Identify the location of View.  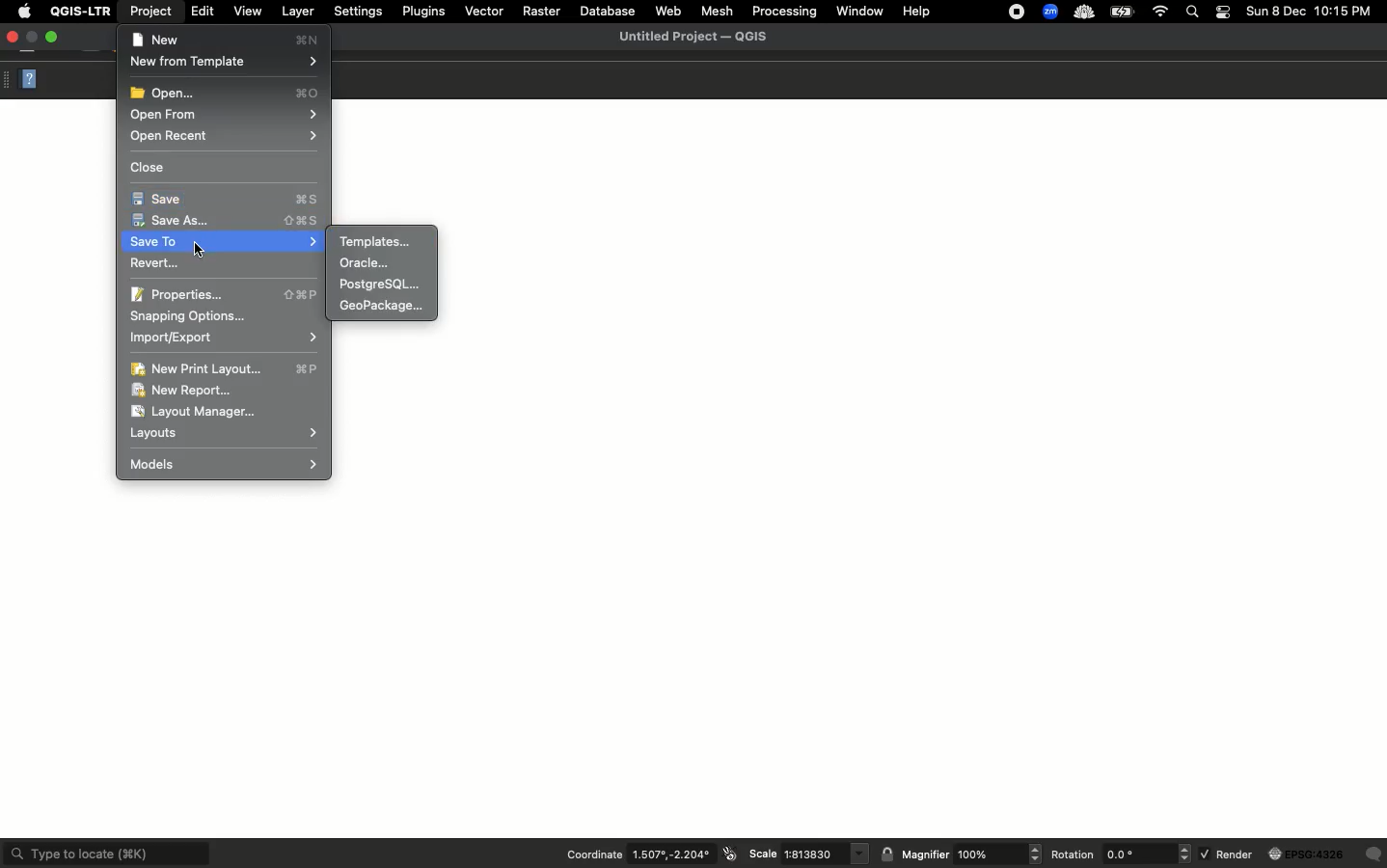
(247, 11).